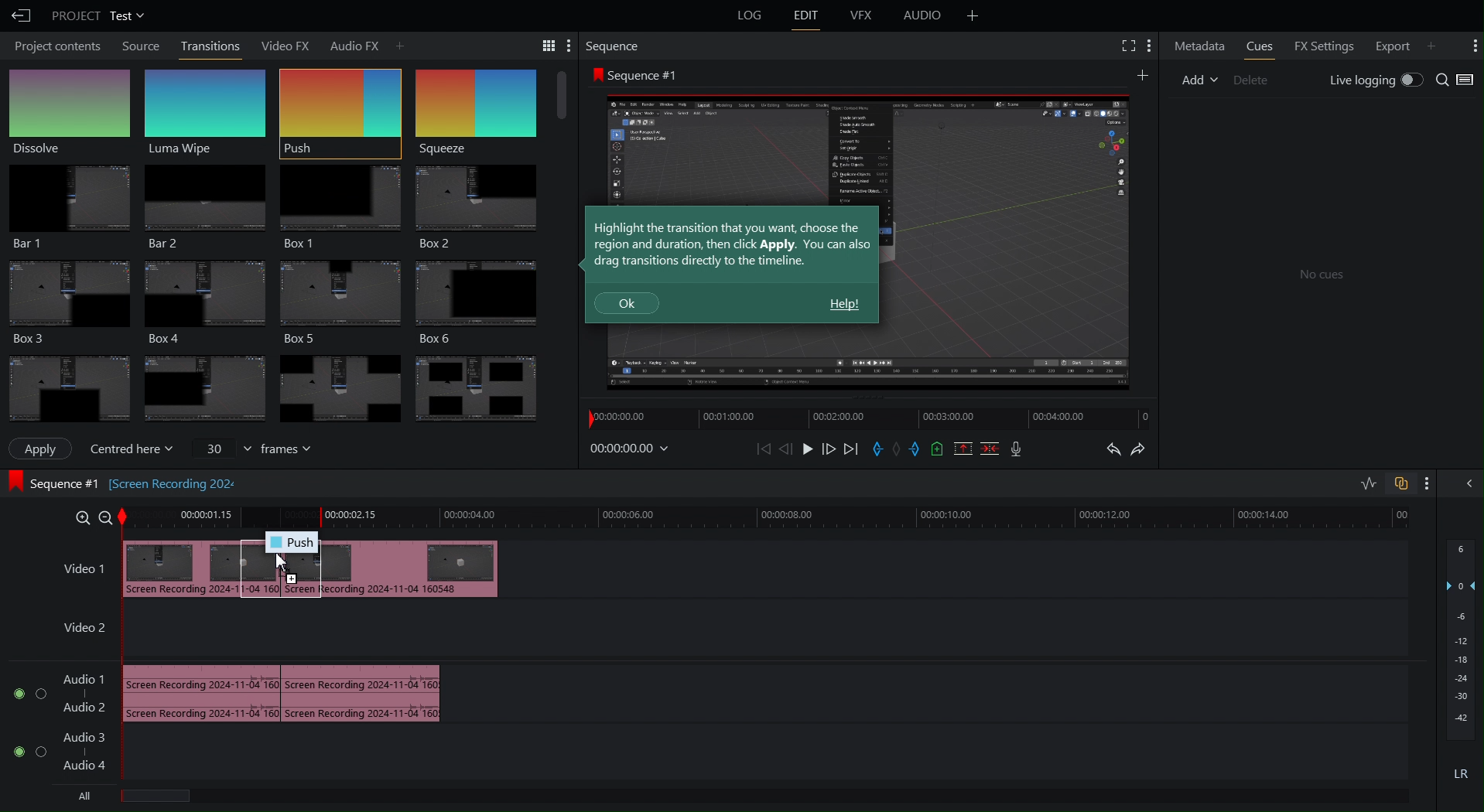  What do you see at coordinates (275, 389) in the screenshot?
I see `Transitions` at bounding box center [275, 389].